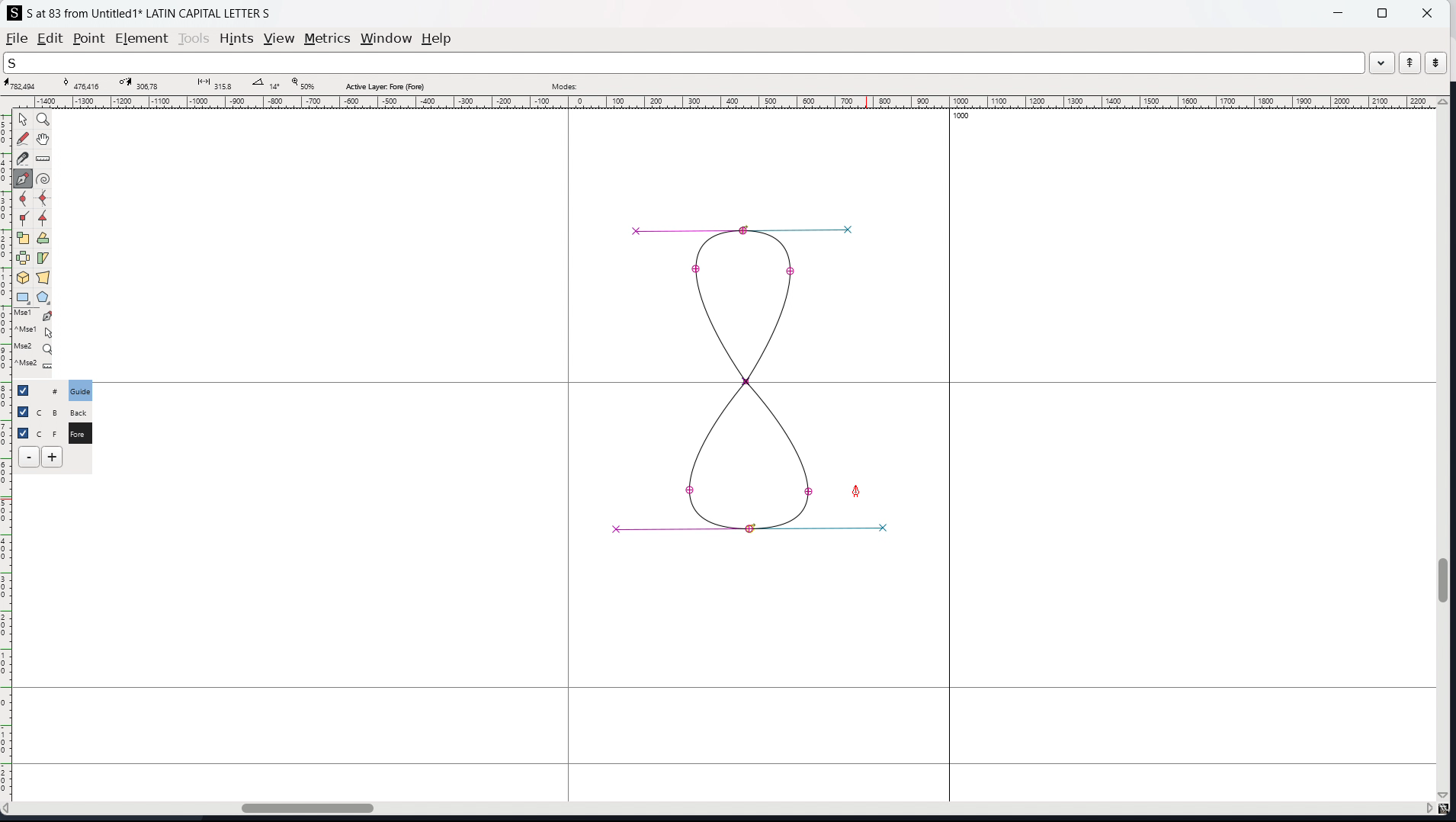 This screenshot has height=822, width=1456. What do you see at coordinates (82, 390) in the screenshot?
I see `# Guide` at bounding box center [82, 390].